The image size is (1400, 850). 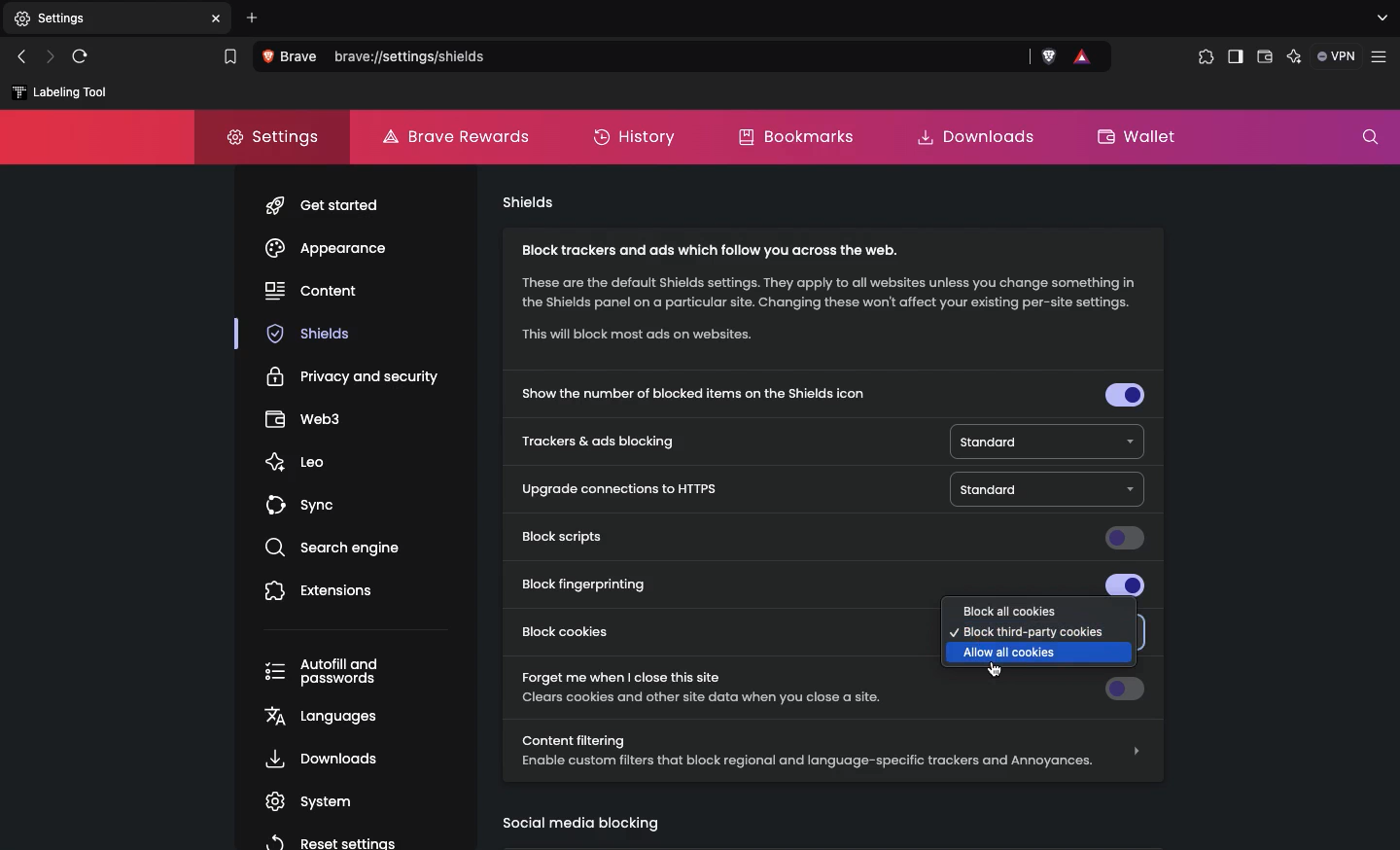 I want to click on Allow all cookies, so click(x=1013, y=652).